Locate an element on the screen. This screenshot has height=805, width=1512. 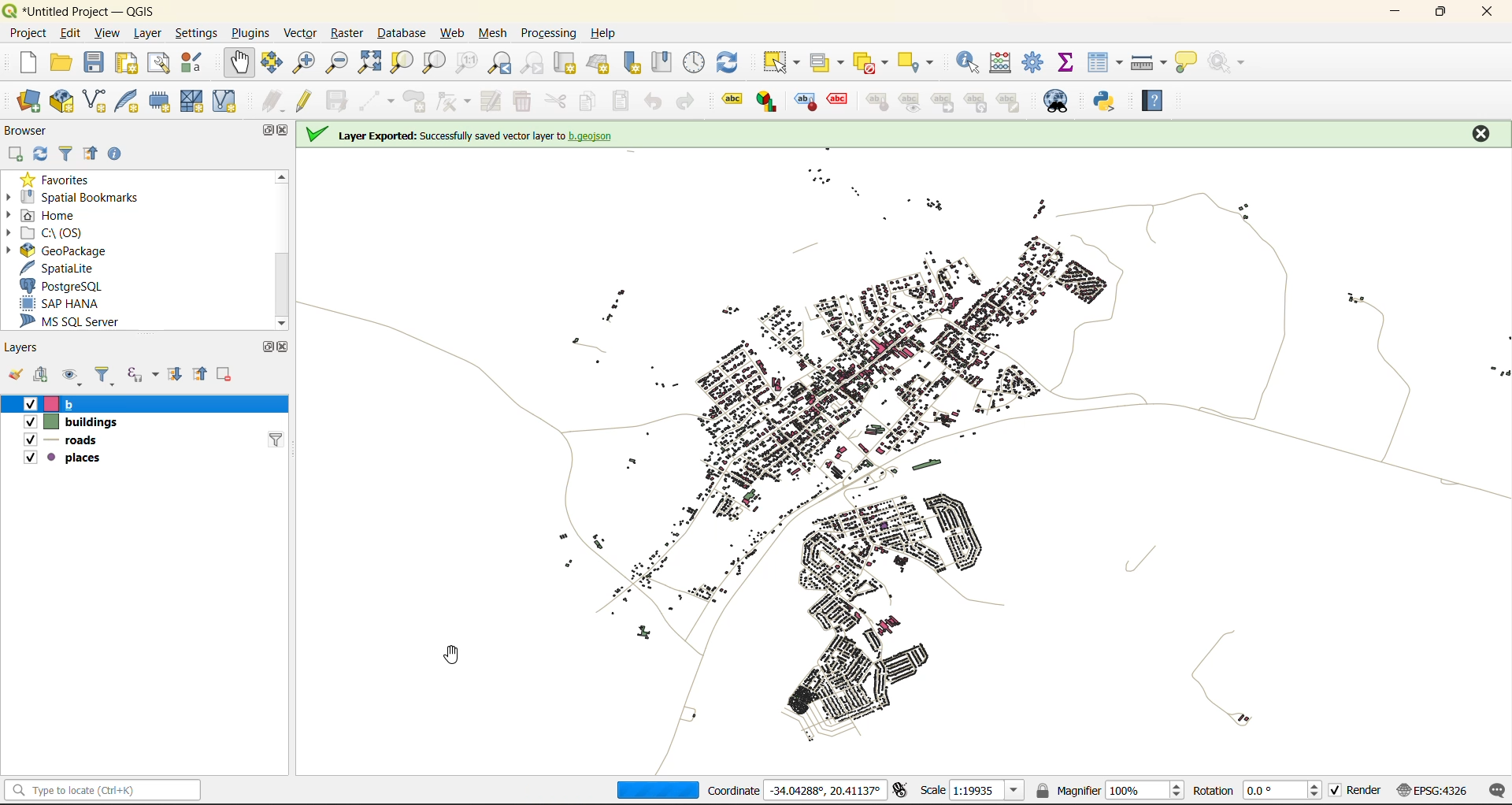
new 3d map view is located at coordinates (600, 65).